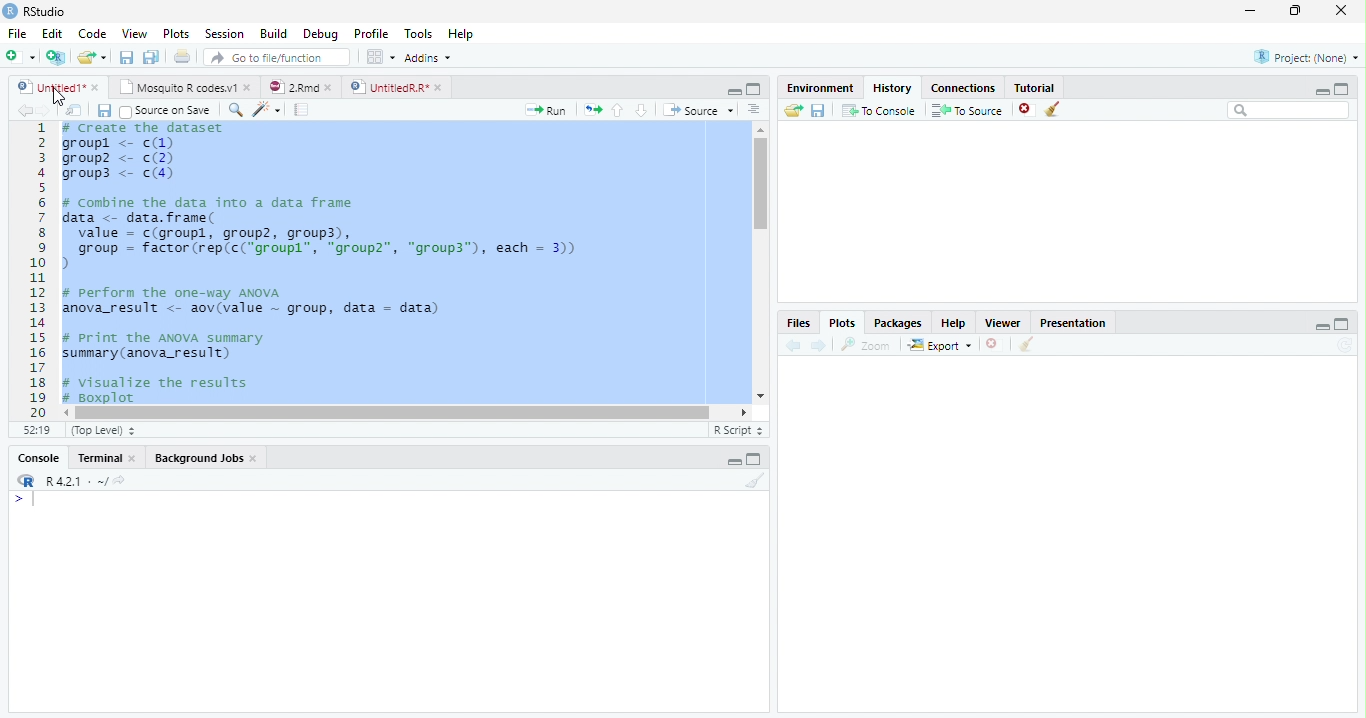 This screenshot has width=1366, height=718. What do you see at coordinates (56, 57) in the screenshot?
I see `Create a Project` at bounding box center [56, 57].